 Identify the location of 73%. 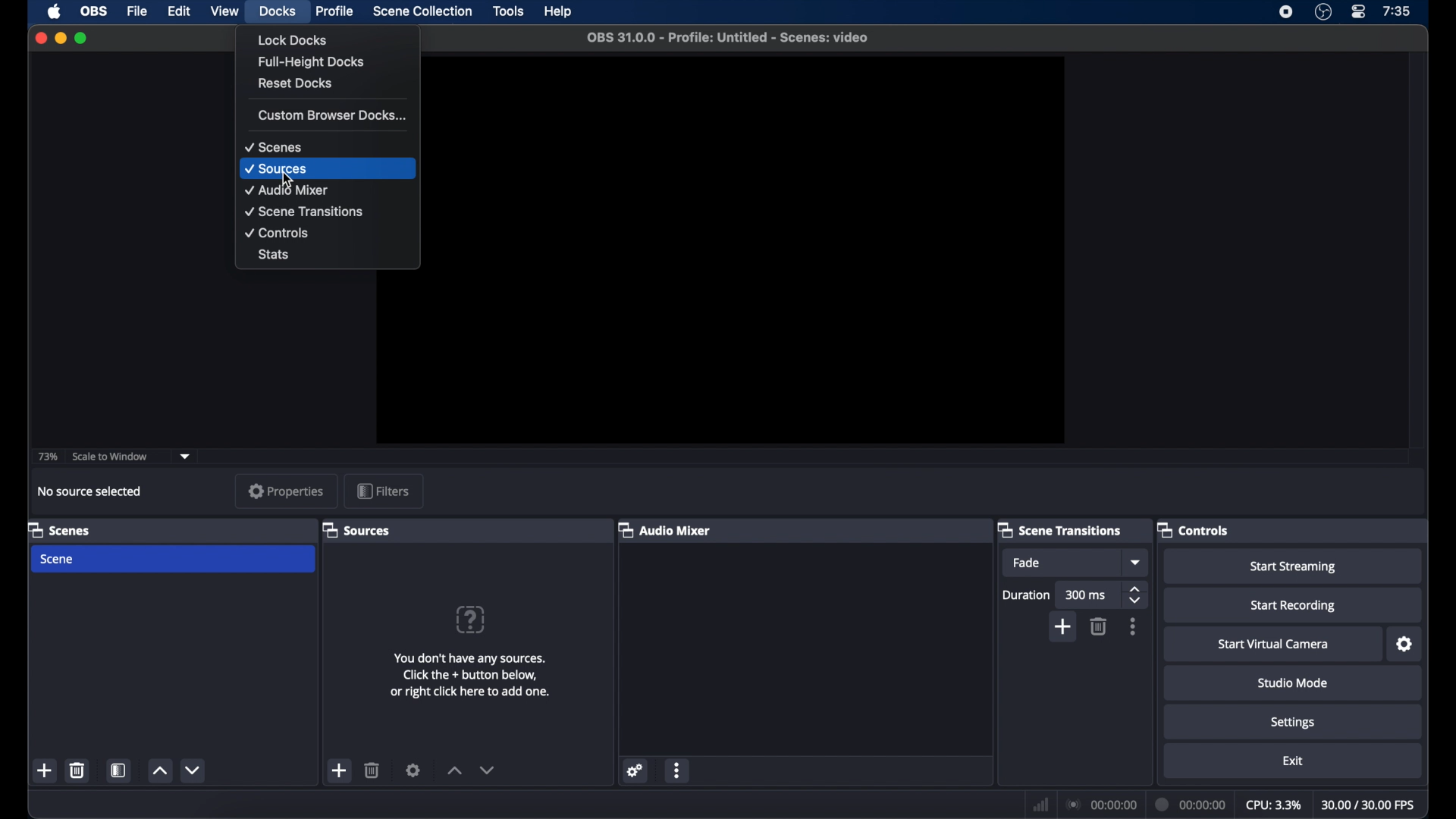
(49, 457).